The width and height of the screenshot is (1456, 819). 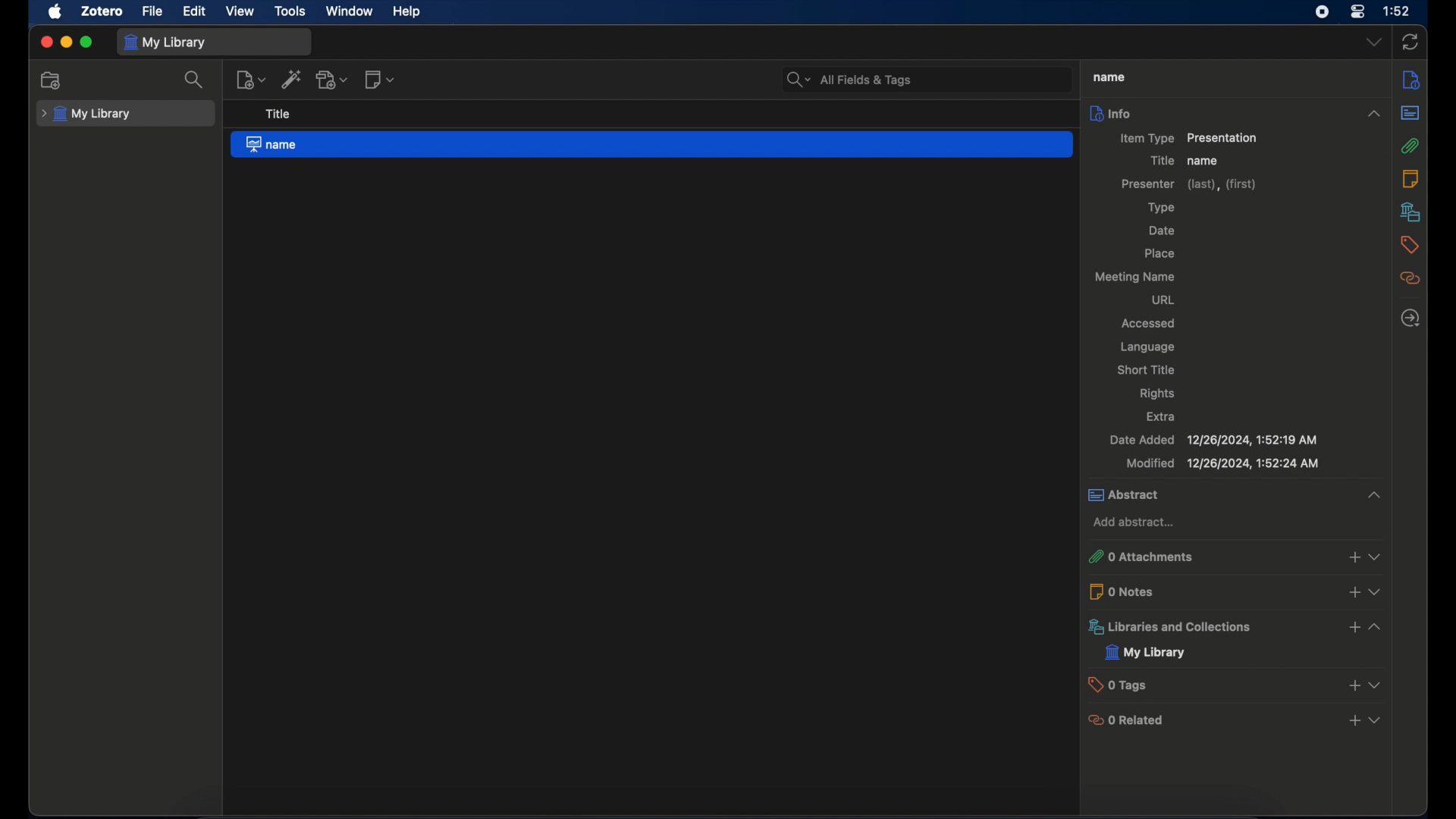 I want to click on presenter (last),(first), so click(x=1191, y=184).